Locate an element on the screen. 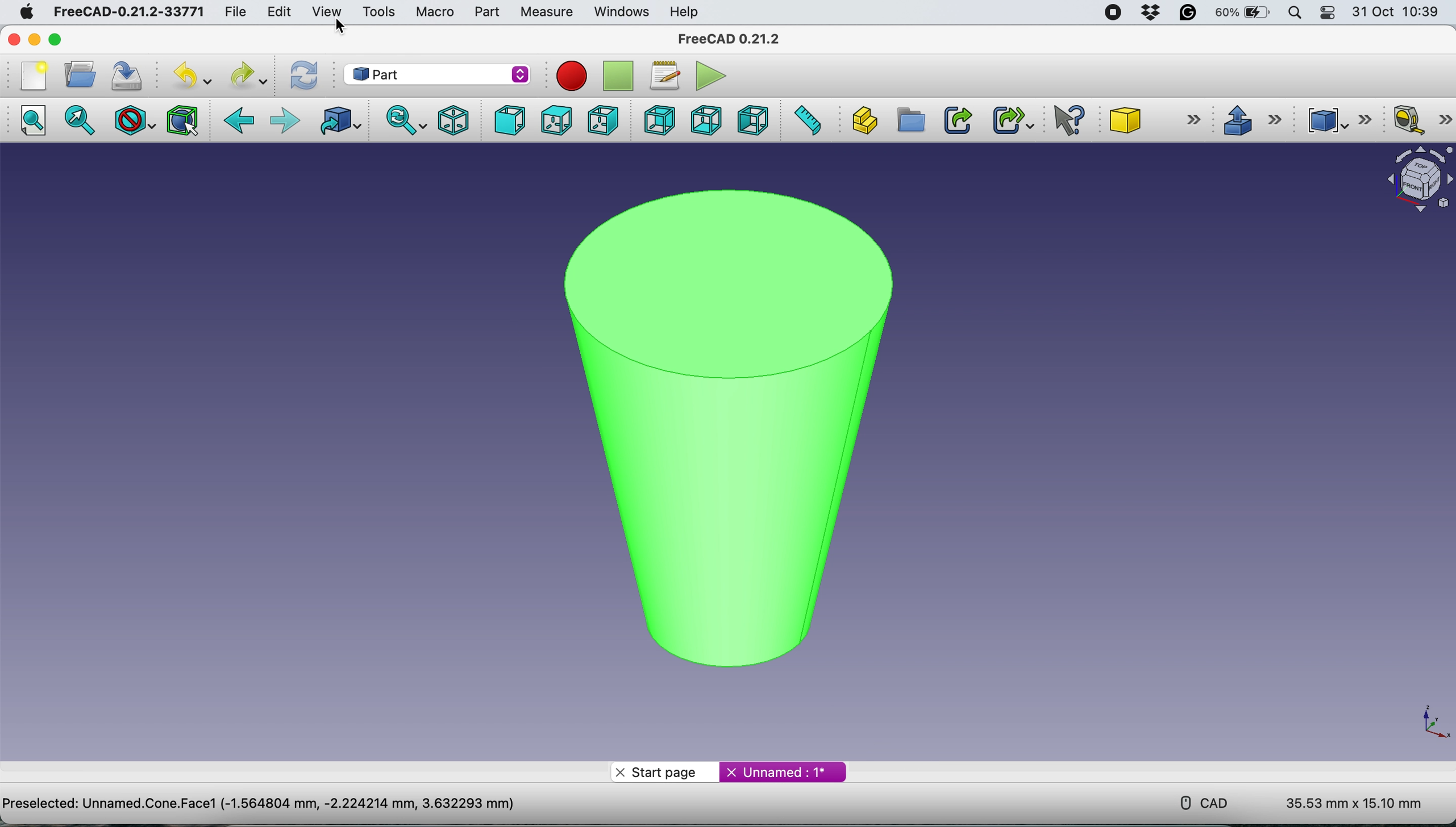 The image size is (1456, 827). make sub link is located at coordinates (1012, 120).